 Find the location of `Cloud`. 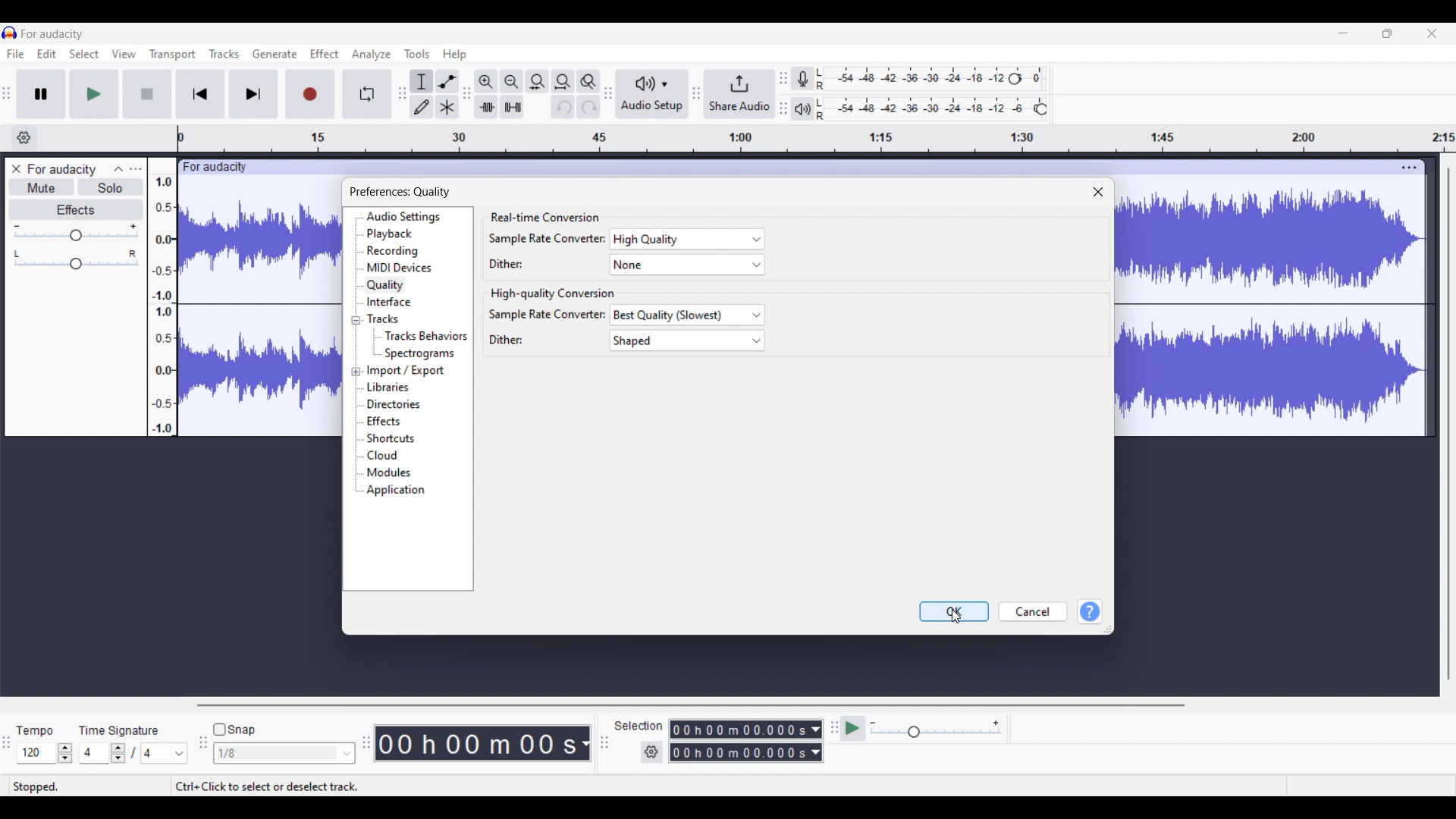

Cloud is located at coordinates (383, 455).